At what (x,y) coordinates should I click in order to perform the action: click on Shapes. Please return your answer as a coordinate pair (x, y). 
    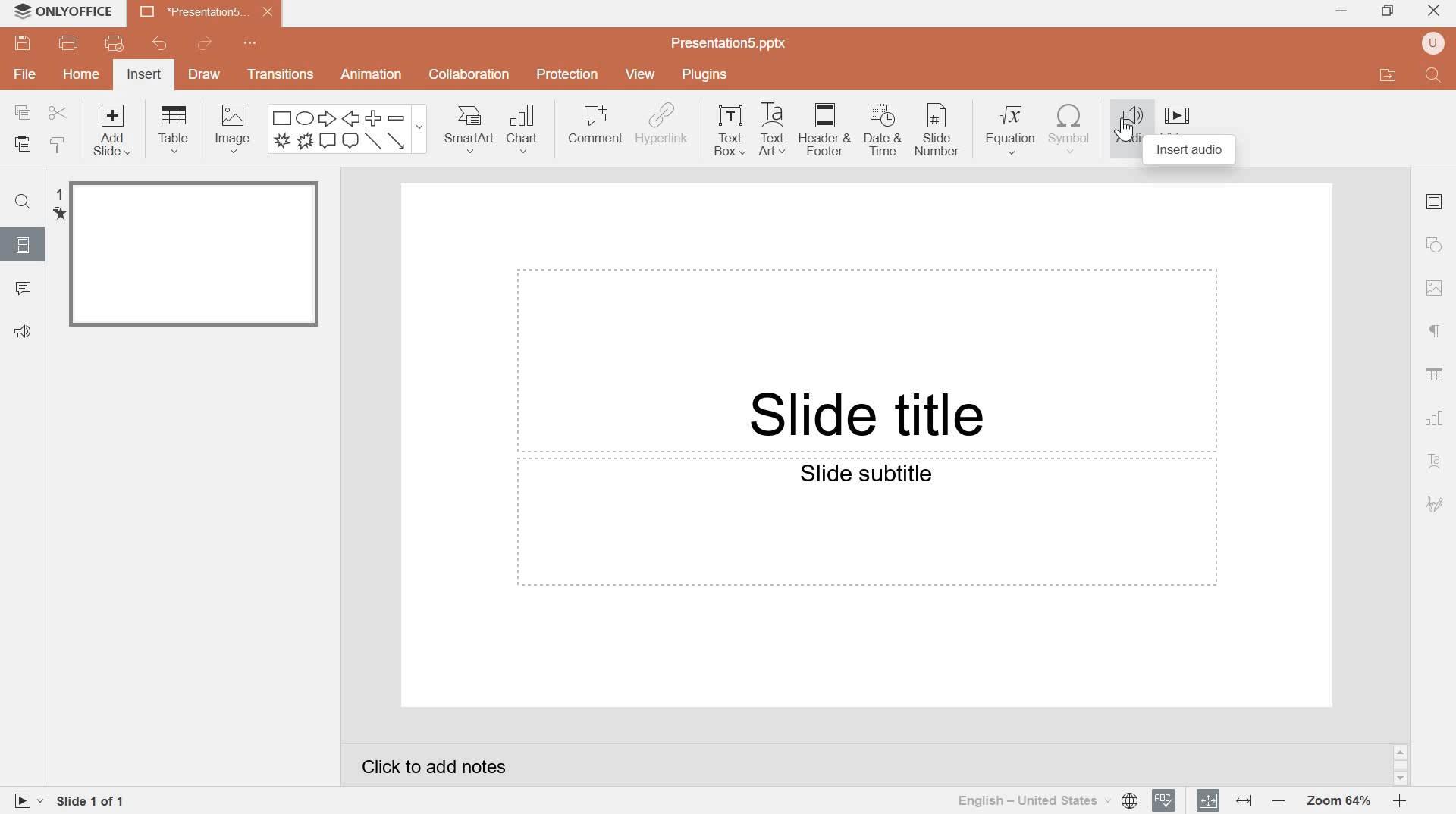
    Looking at the image, I should click on (347, 129).